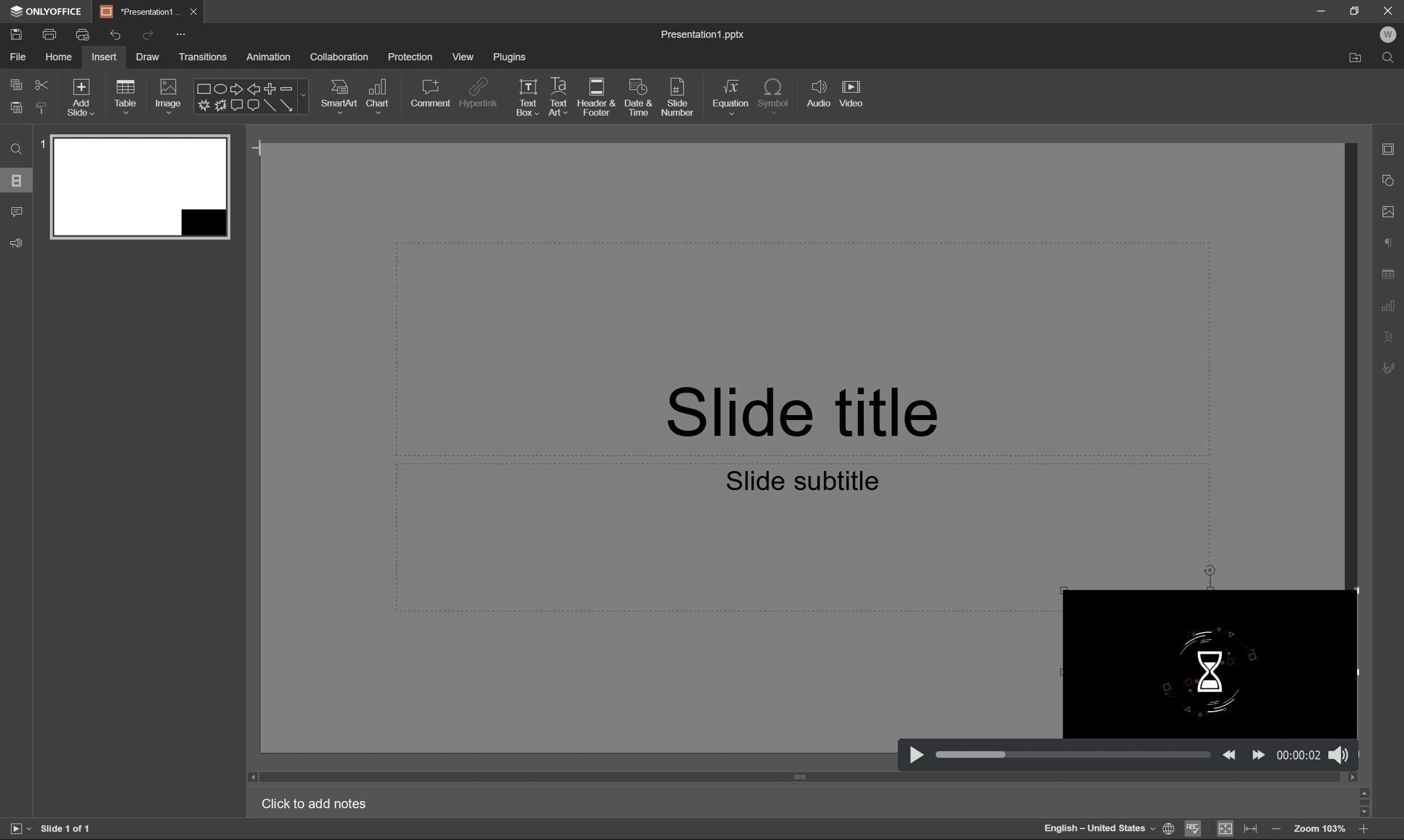 The image size is (1404, 840). I want to click on Images, so click(167, 96).